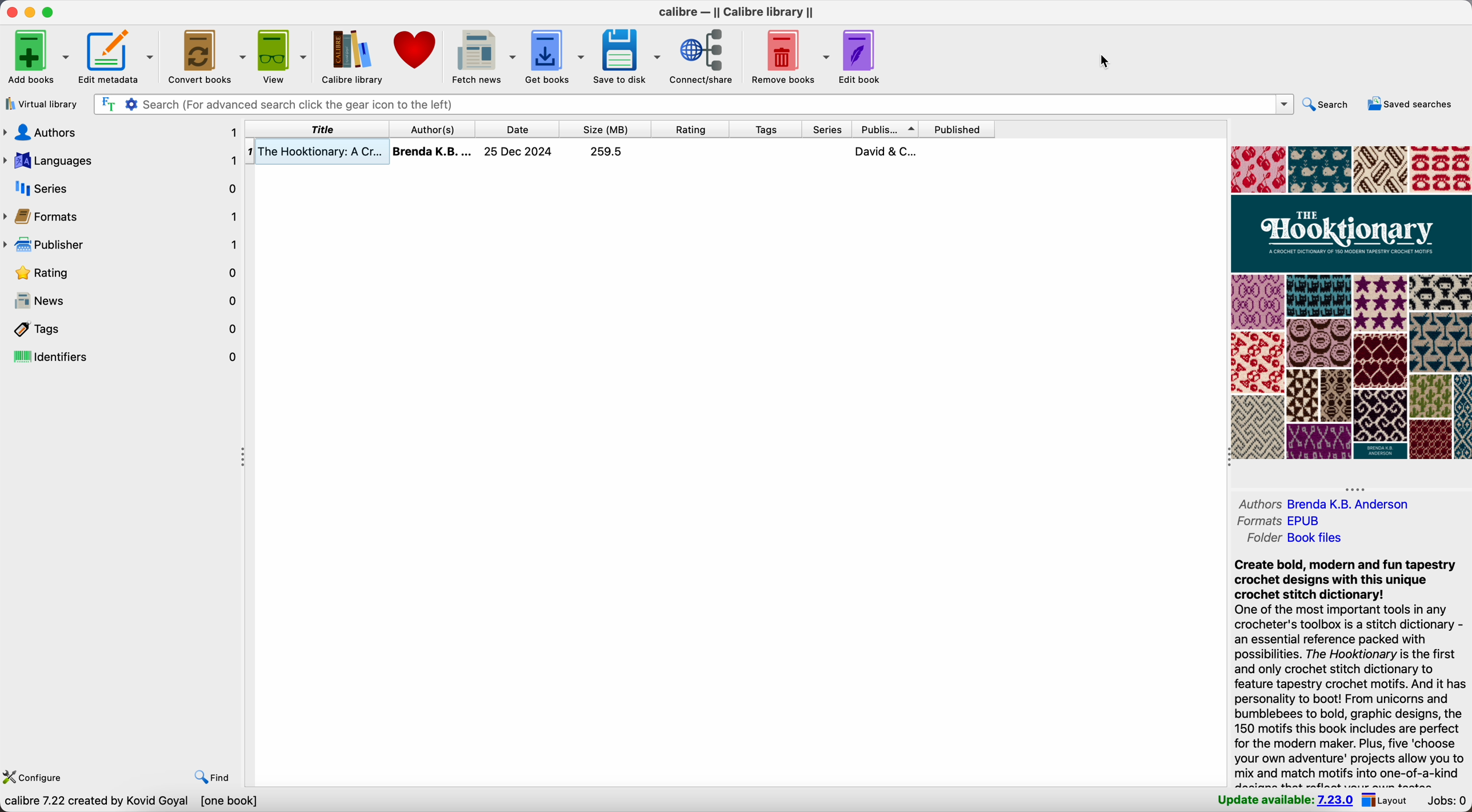 The image size is (1472, 812). Describe the element at coordinates (434, 129) in the screenshot. I see `click on author(s)` at that location.